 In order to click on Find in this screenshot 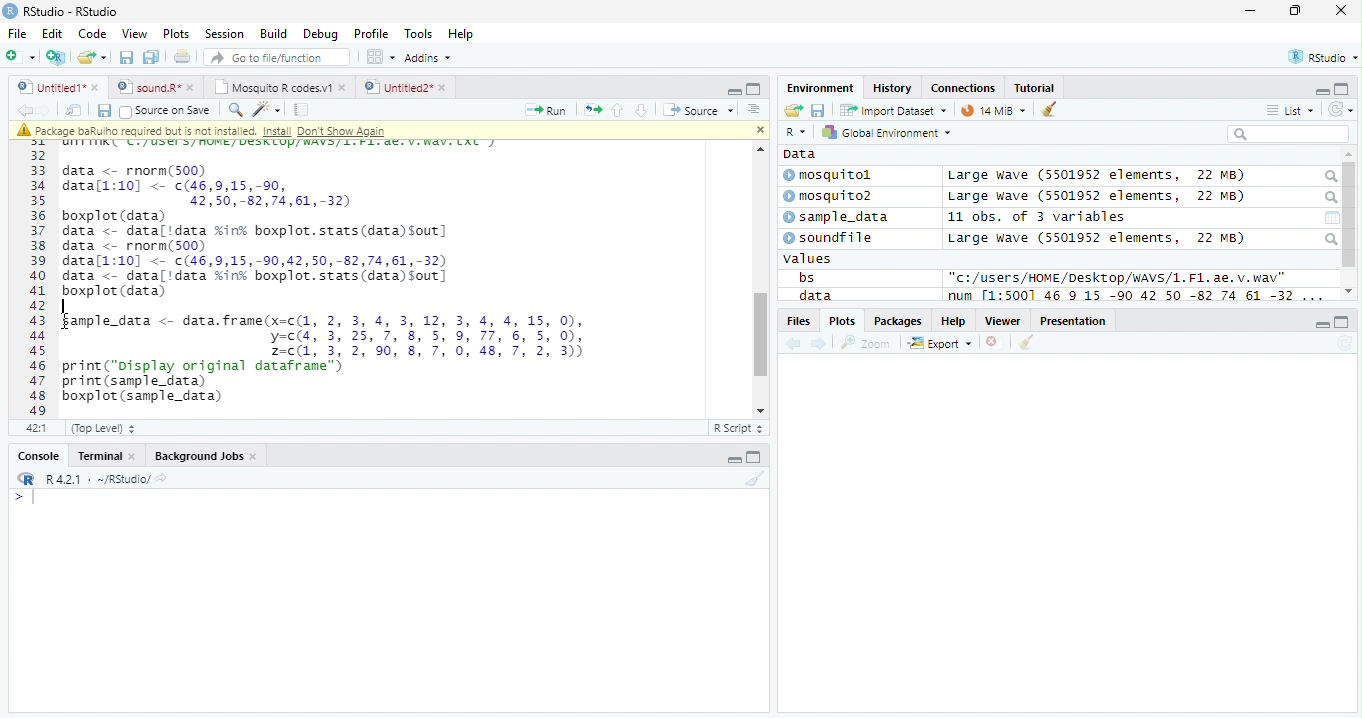, I will do `click(235, 110)`.